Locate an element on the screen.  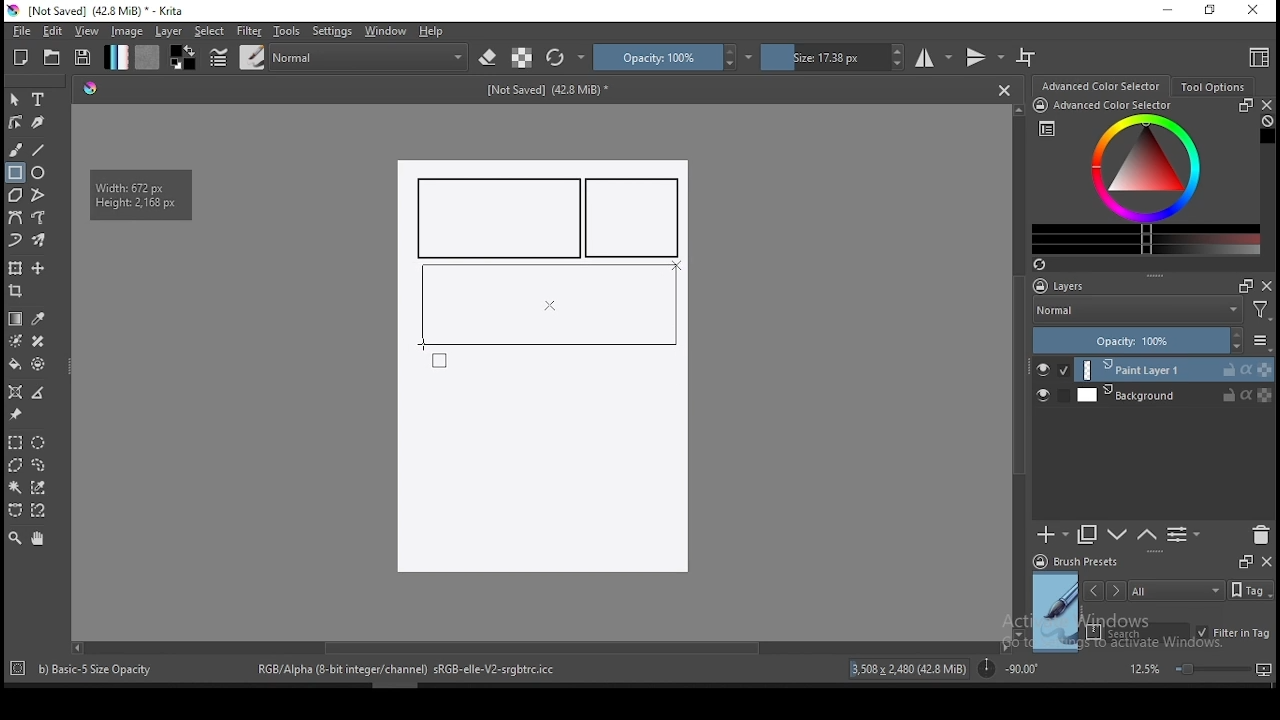
size is located at coordinates (833, 57).